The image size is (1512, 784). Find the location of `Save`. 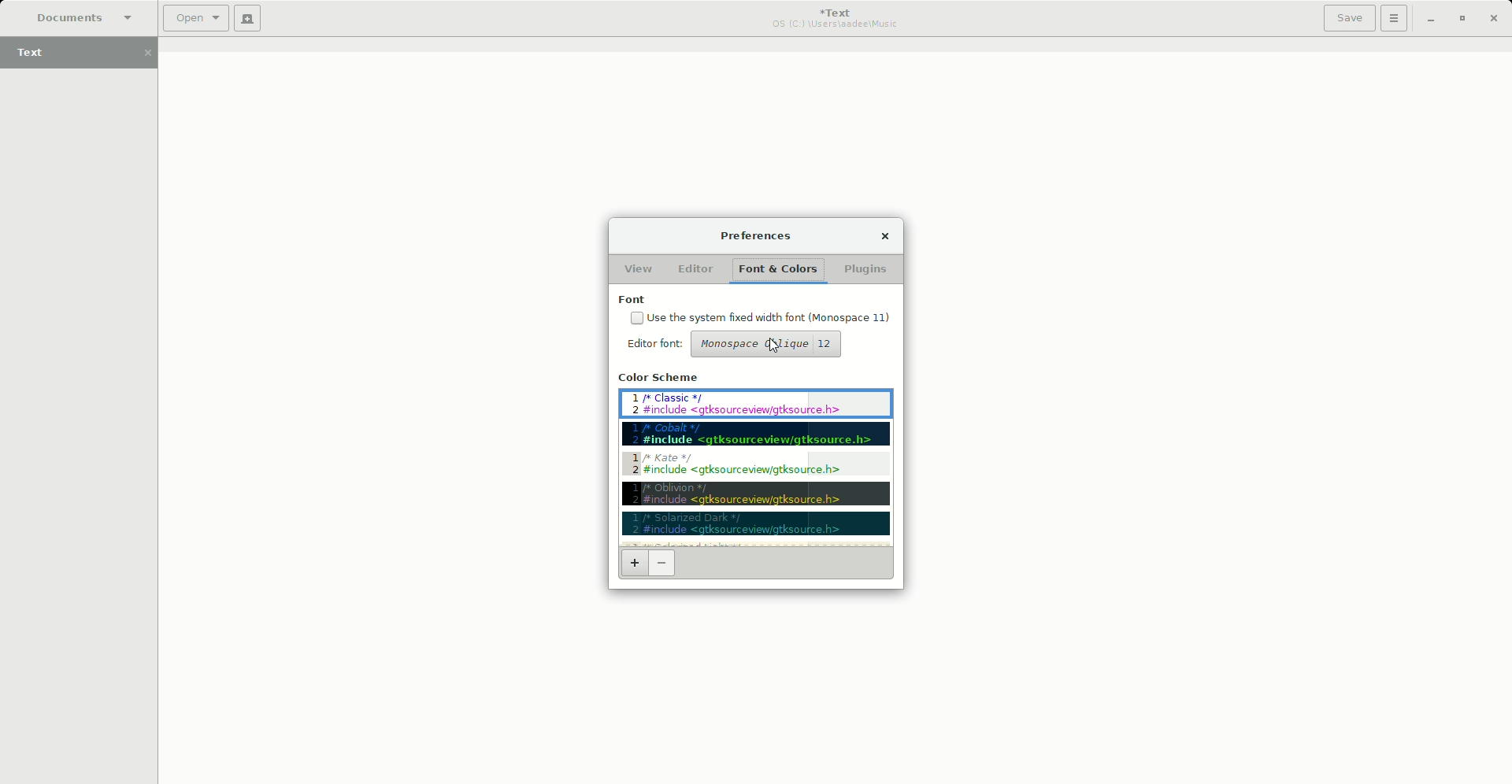

Save is located at coordinates (1349, 18).